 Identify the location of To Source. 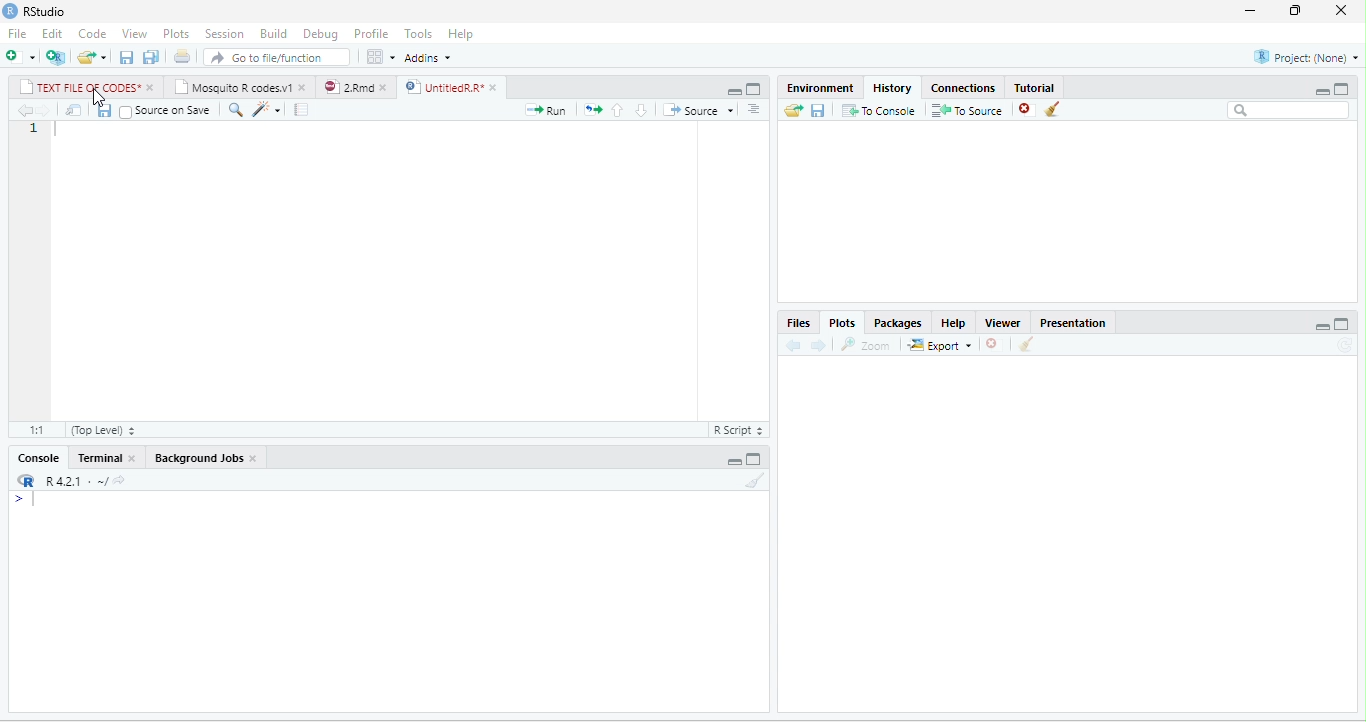
(968, 109).